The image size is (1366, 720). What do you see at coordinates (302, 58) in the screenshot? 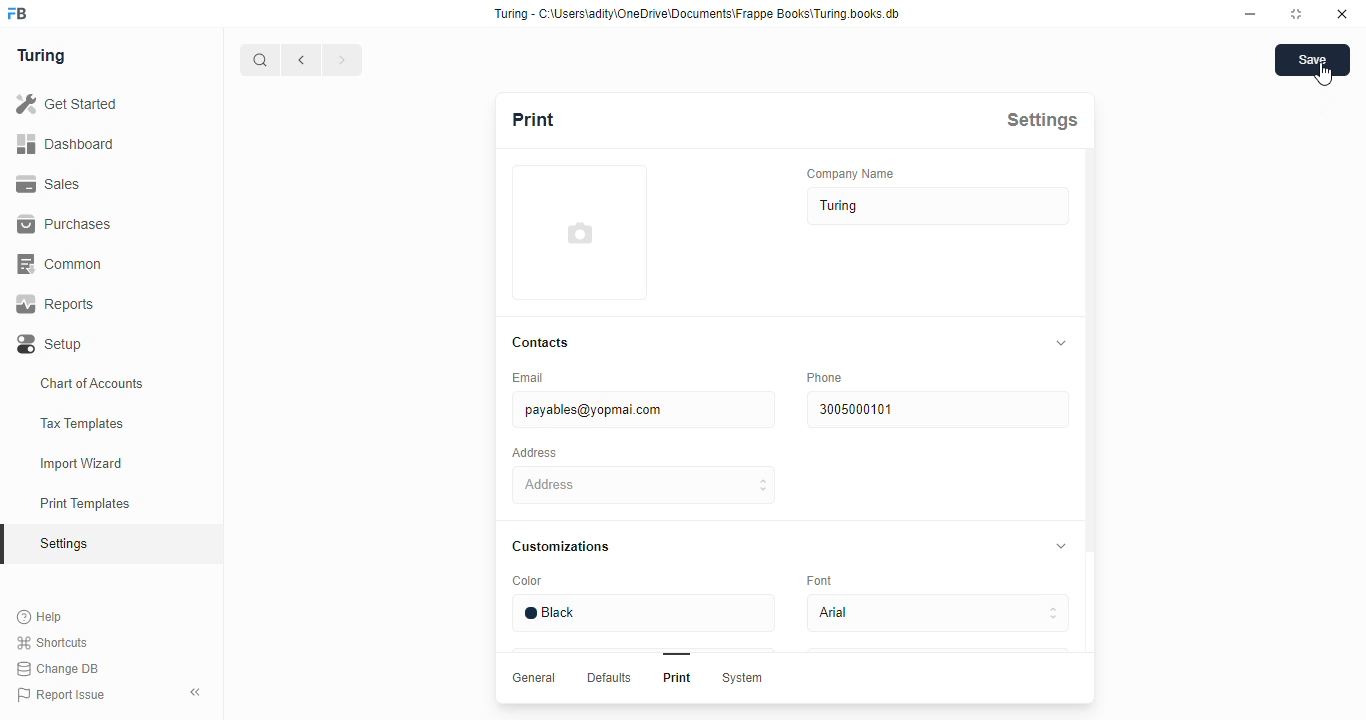
I see `go back` at bounding box center [302, 58].